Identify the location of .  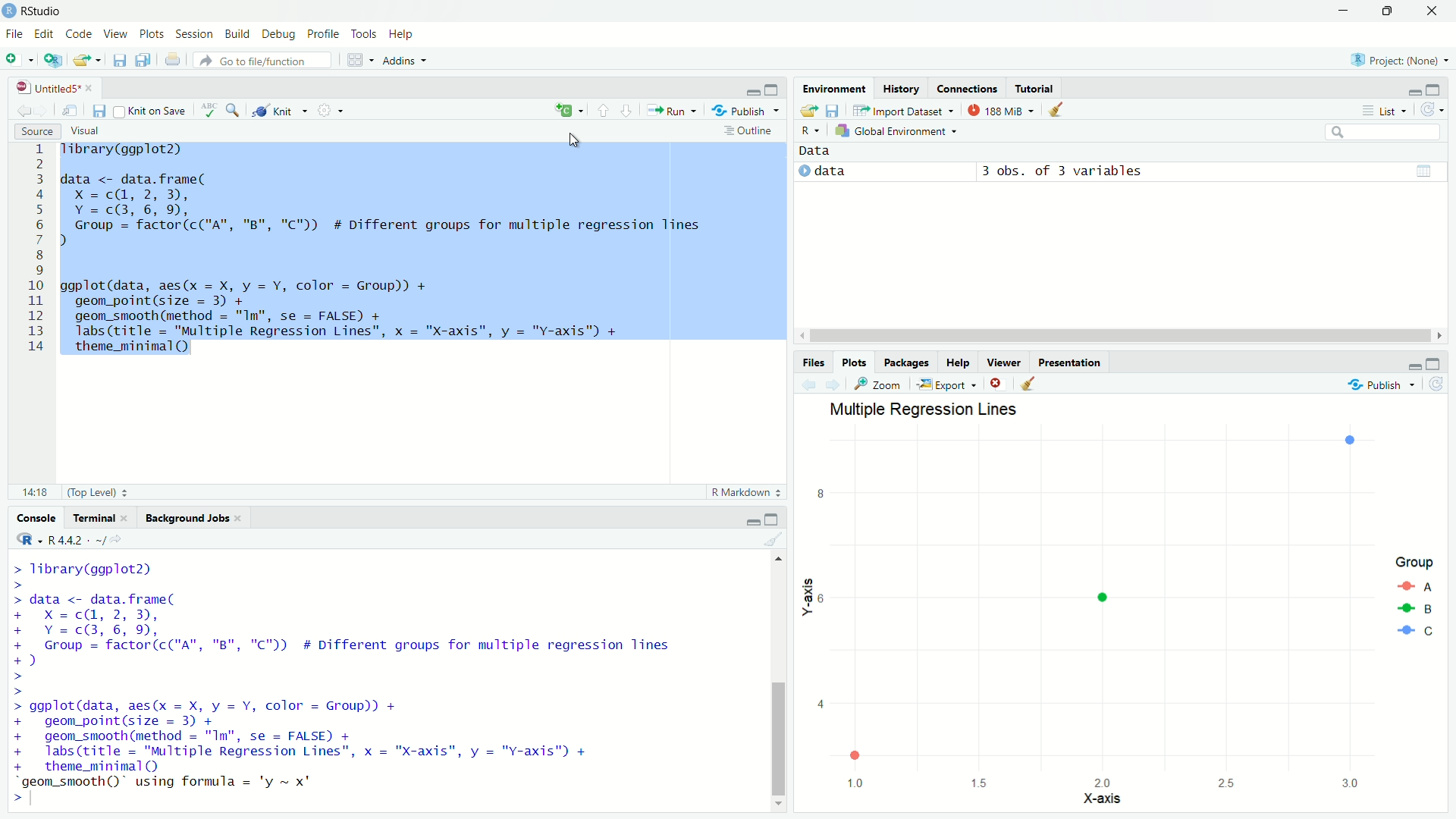
(813, 361).